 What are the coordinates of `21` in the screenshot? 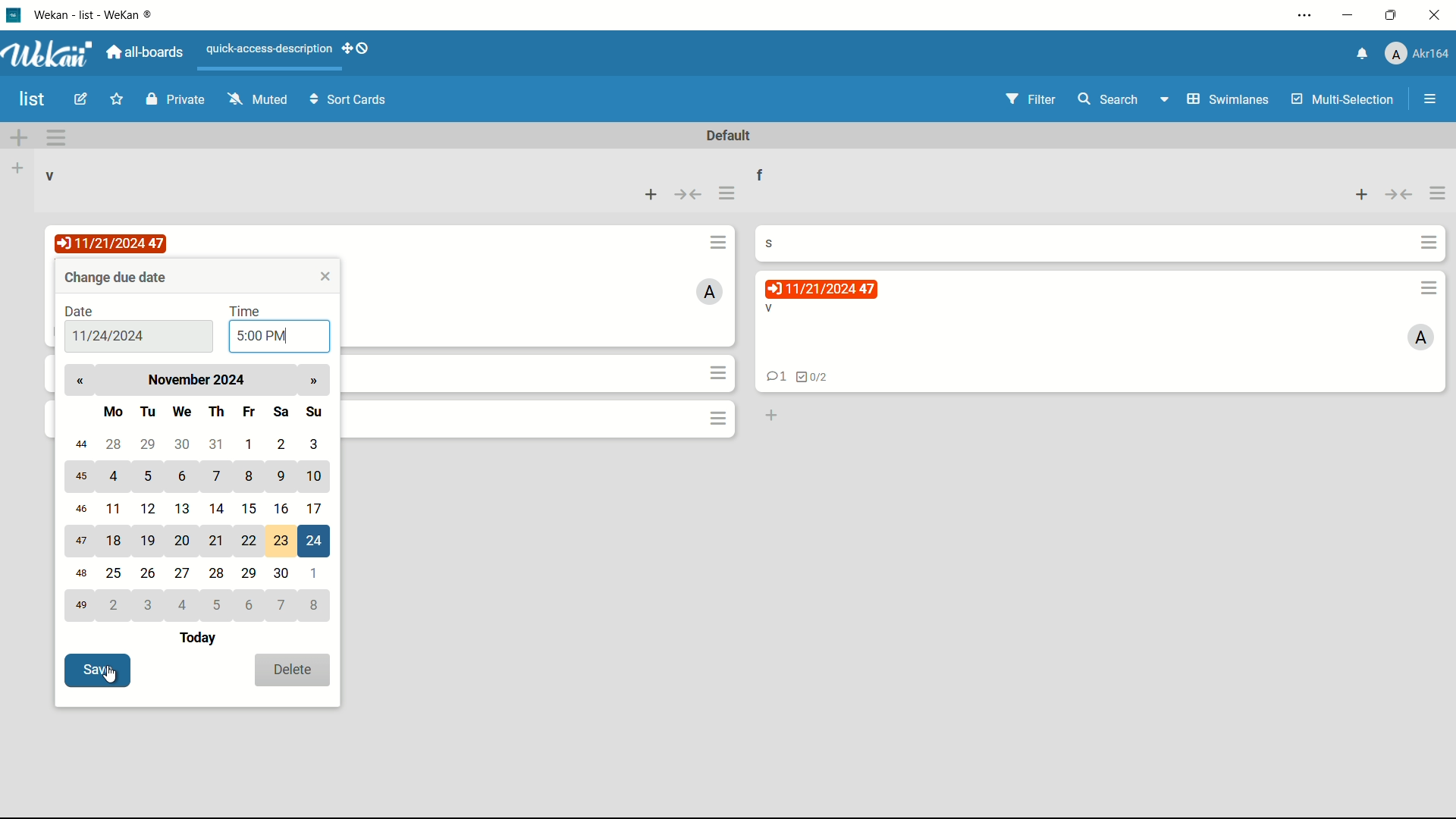 It's located at (218, 542).